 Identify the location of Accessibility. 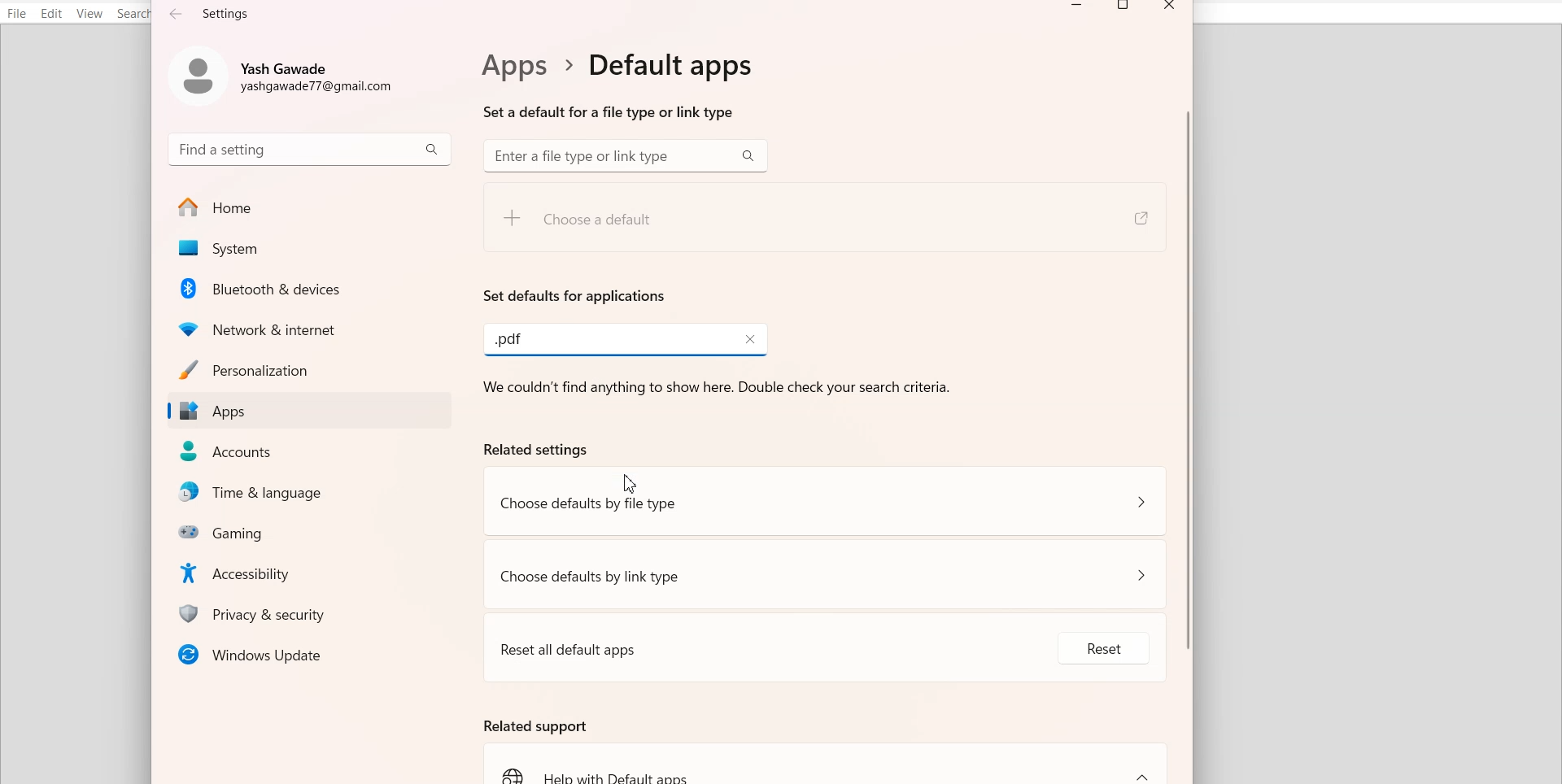
(313, 572).